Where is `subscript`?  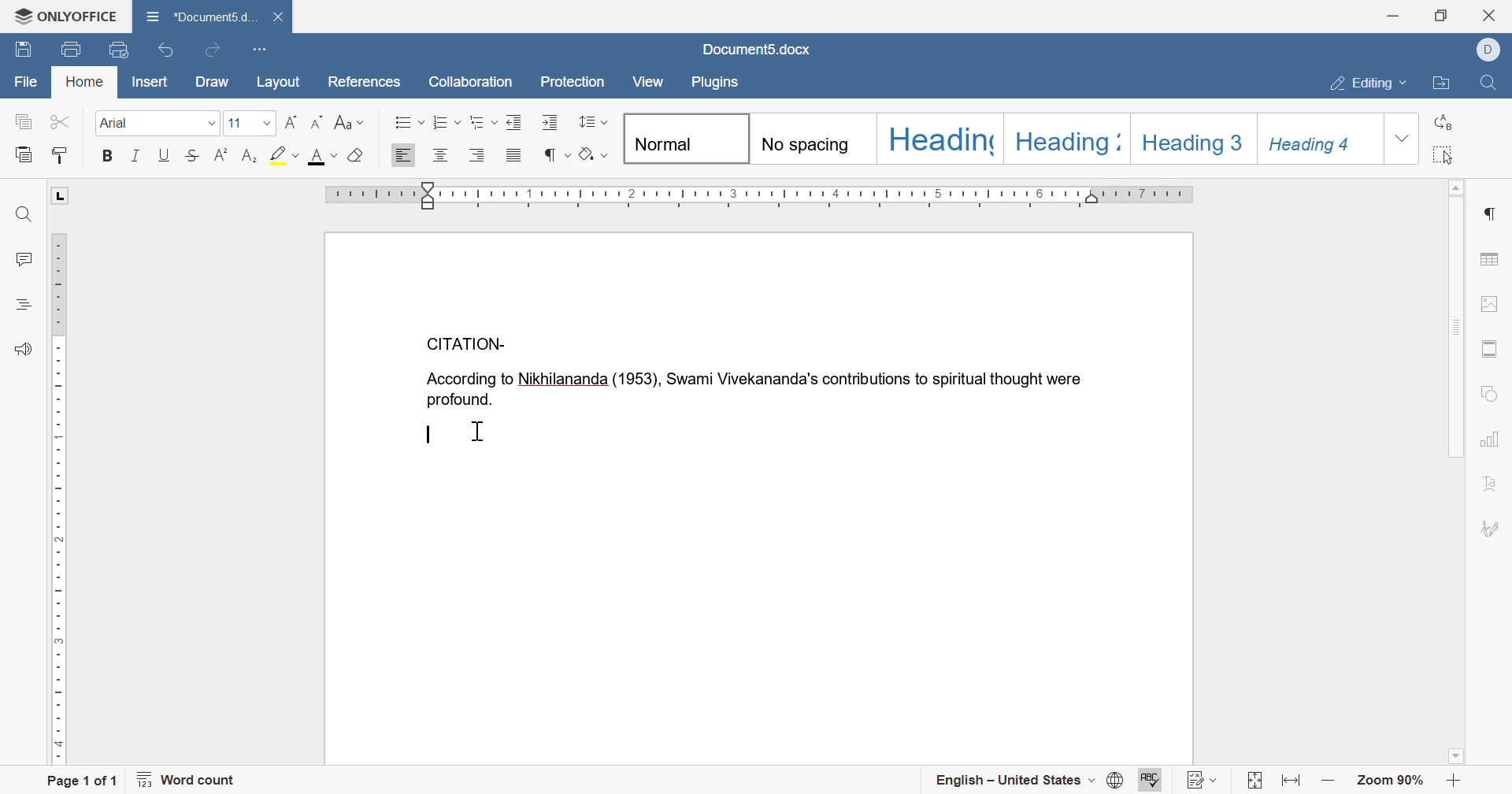 subscript is located at coordinates (249, 158).